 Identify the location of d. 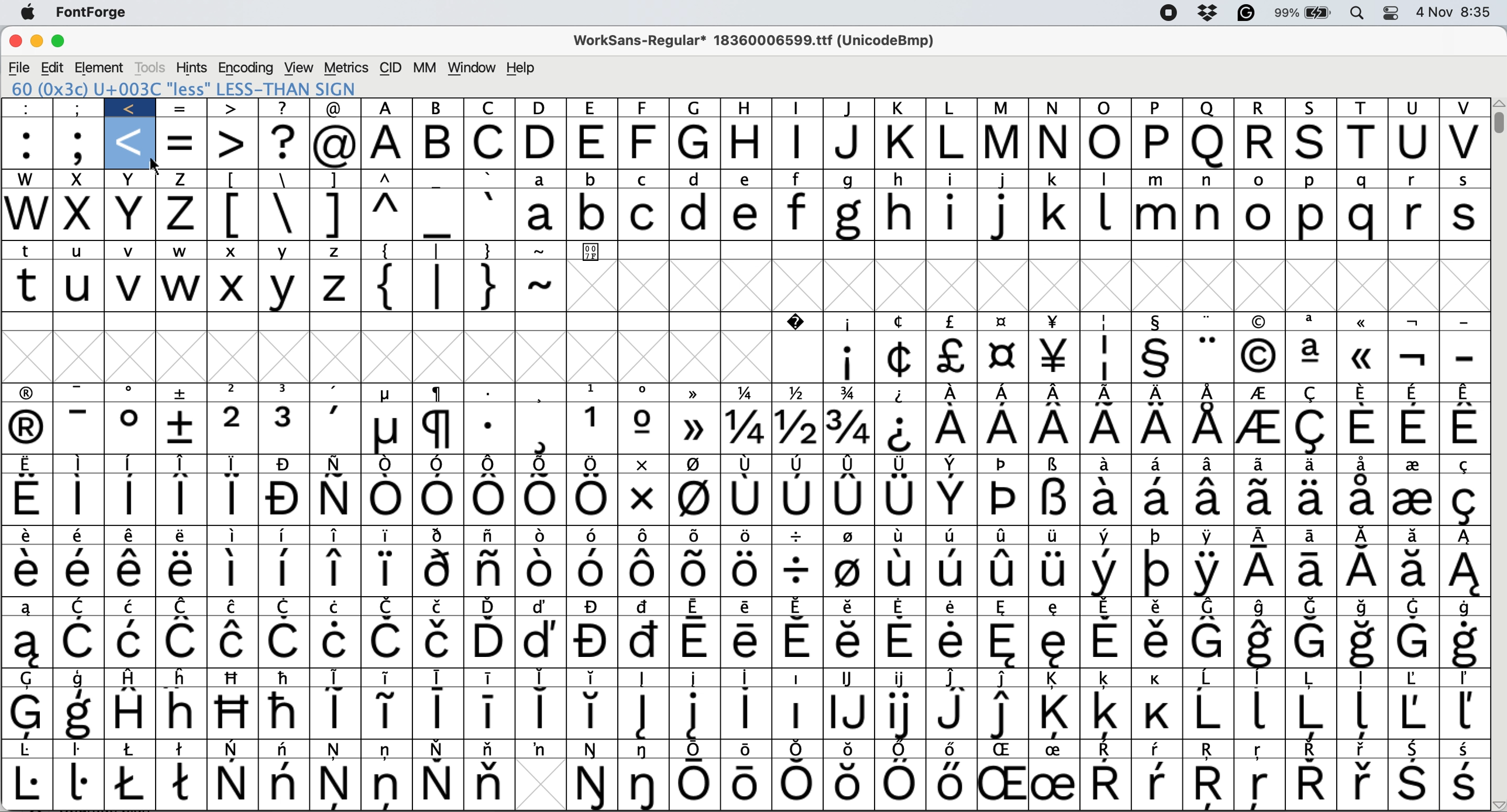
(693, 180).